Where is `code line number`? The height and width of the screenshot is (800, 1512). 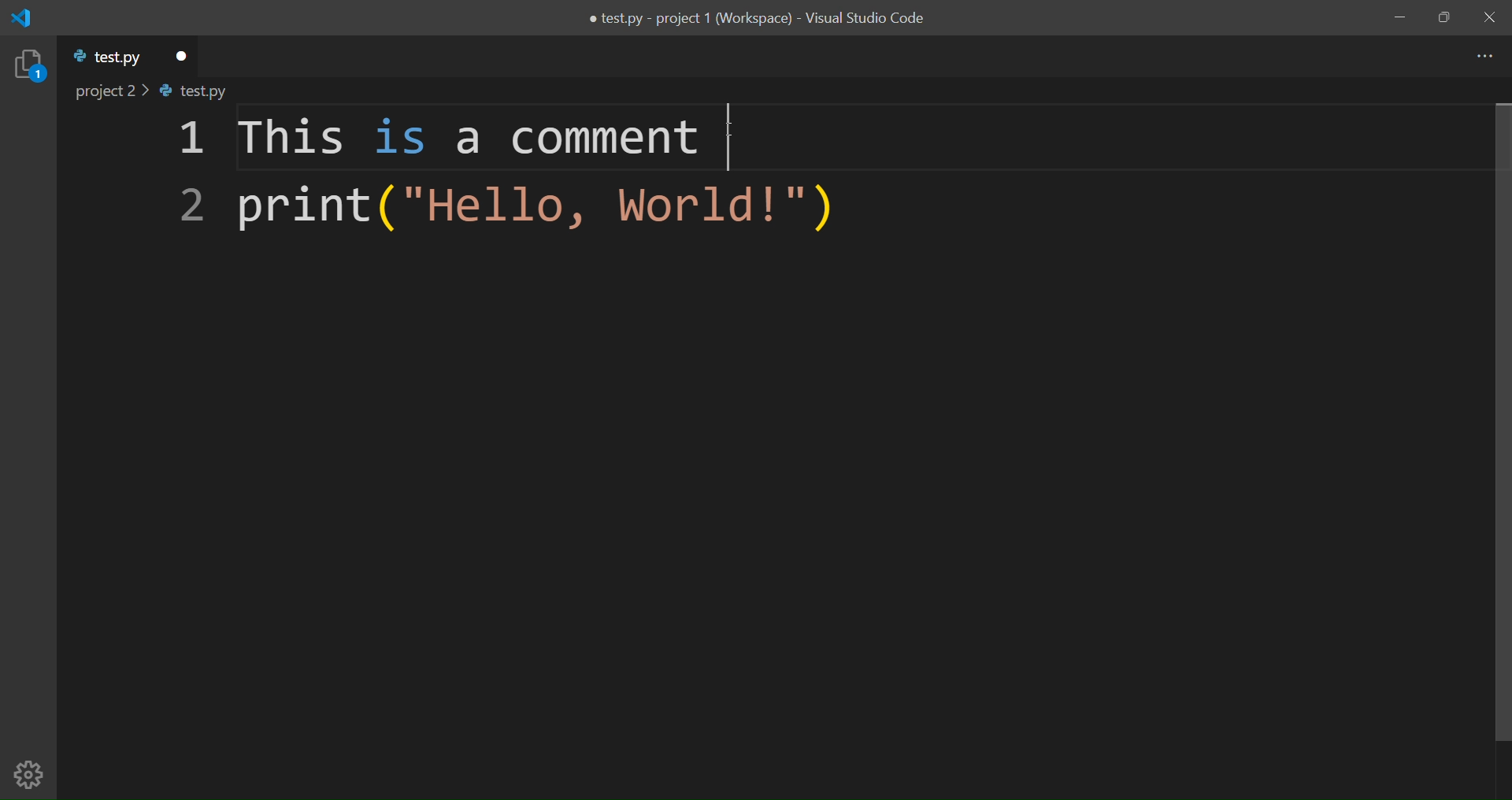
code line number is located at coordinates (185, 176).